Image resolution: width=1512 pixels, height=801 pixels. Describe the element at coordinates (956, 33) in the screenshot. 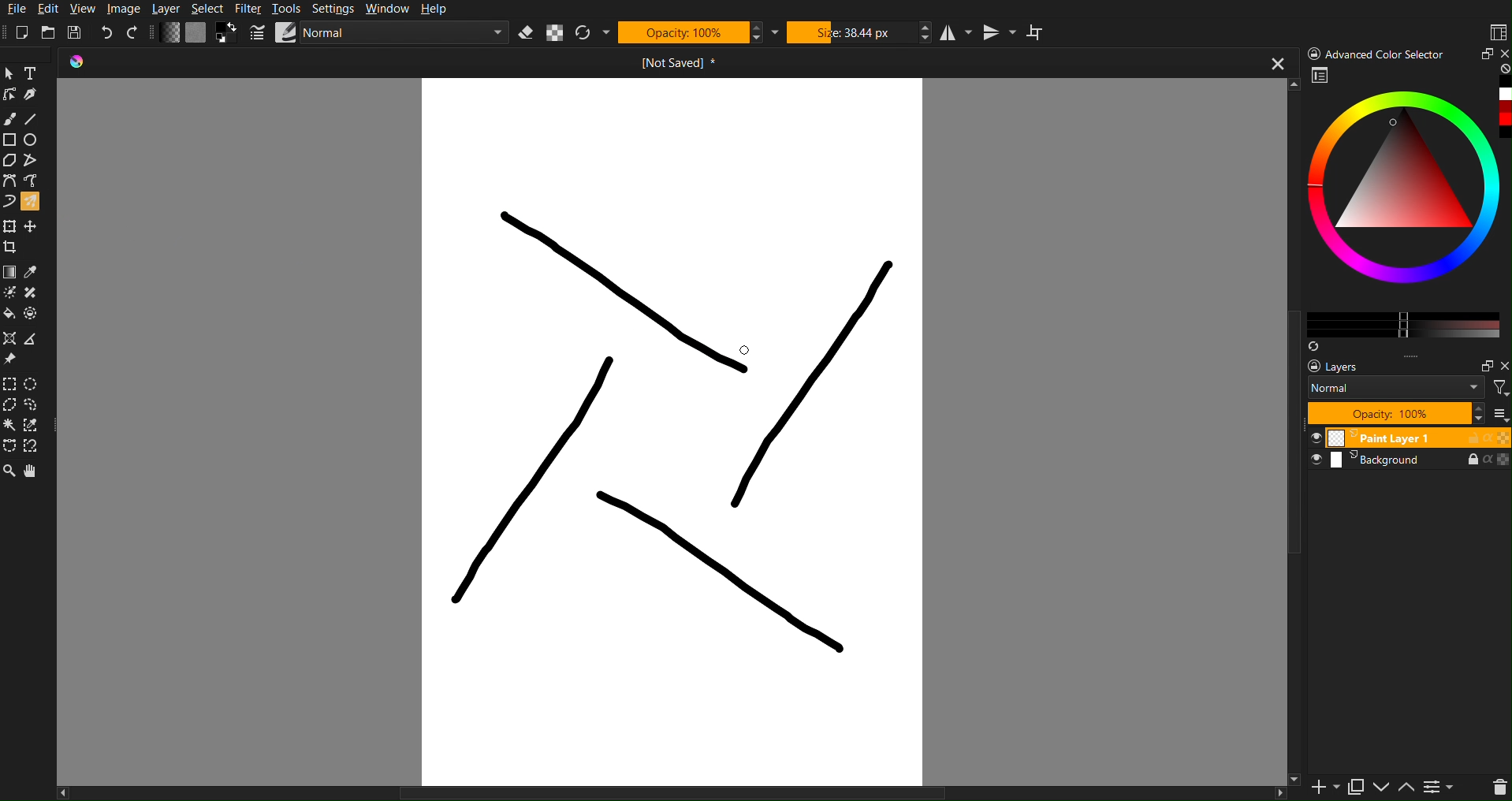

I see `Horizontal Mirror` at that location.